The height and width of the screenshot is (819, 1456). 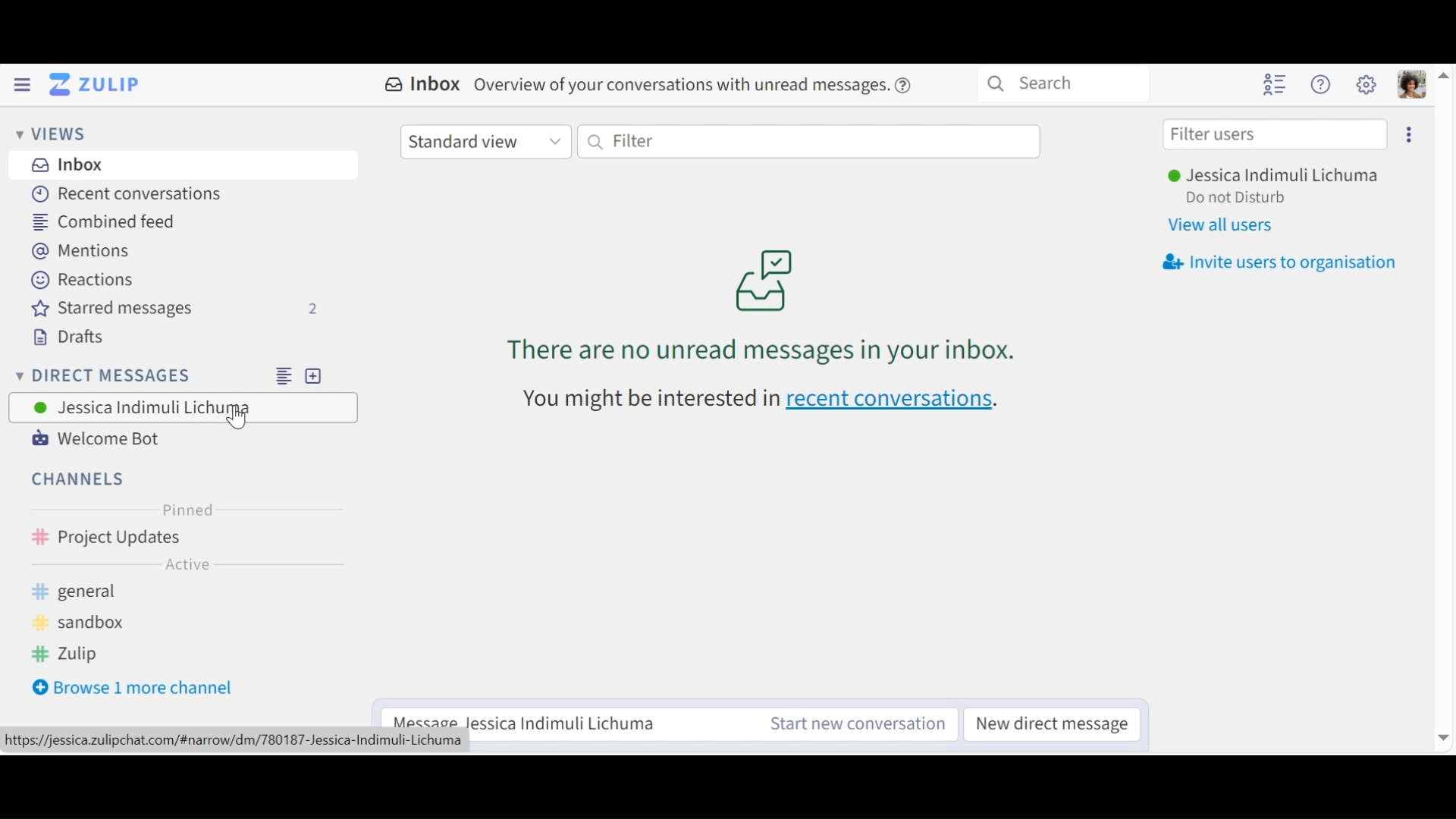 What do you see at coordinates (93, 85) in the screenshot?
I see `Go to Home View (Inbox)` at bounding box center [93, 85].